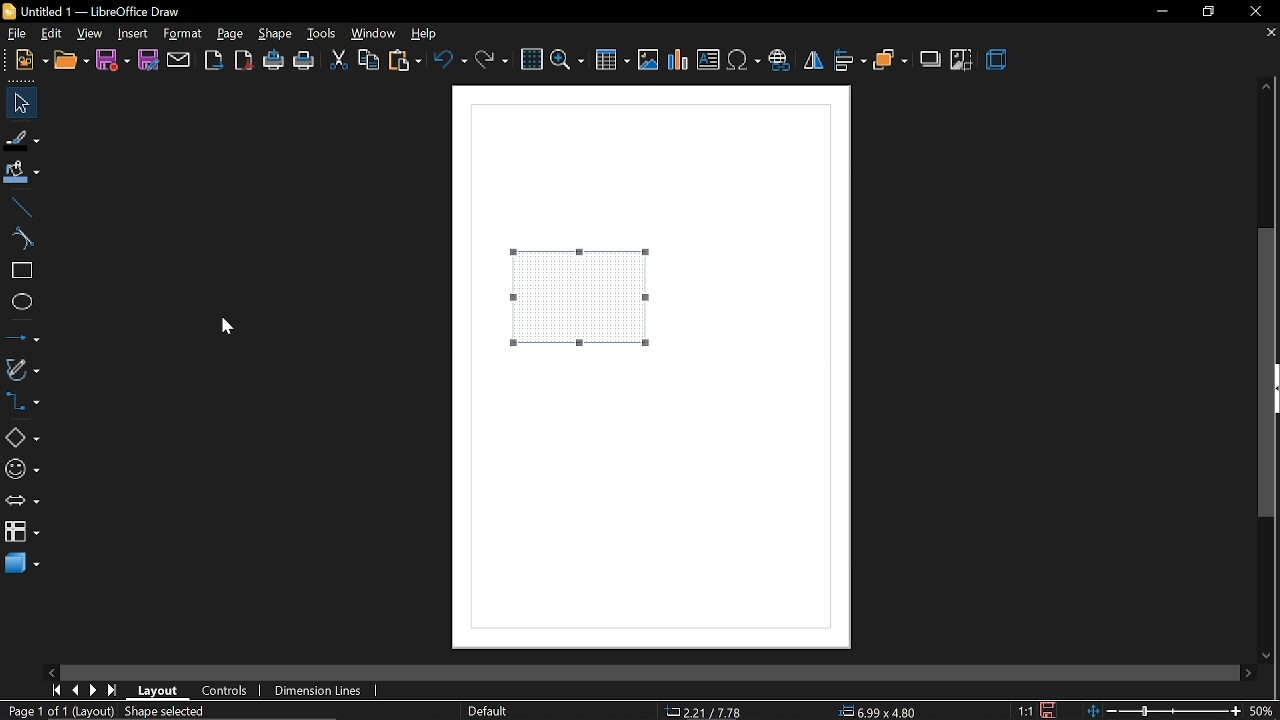 The height and width of the screenshot is (720, 1280). Describe the element at coordinates (112, 689) in the screenshot. I see `go to last page` at that location.